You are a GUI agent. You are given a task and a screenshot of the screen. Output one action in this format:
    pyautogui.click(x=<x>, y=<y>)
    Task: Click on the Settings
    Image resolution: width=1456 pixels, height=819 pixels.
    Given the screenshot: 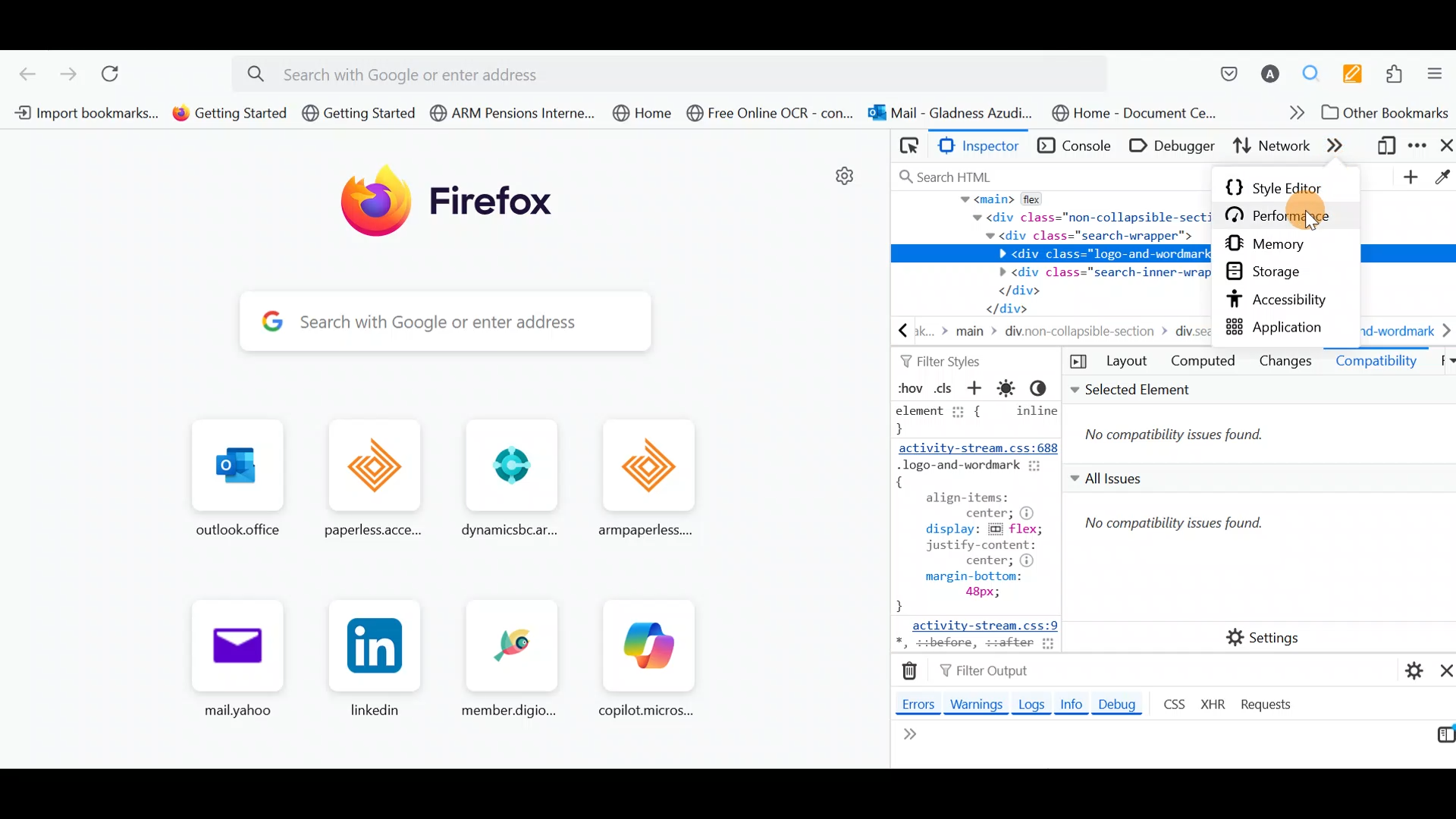 What is the action you would take?
    pyautogui.click(x=1266, y=636)
    